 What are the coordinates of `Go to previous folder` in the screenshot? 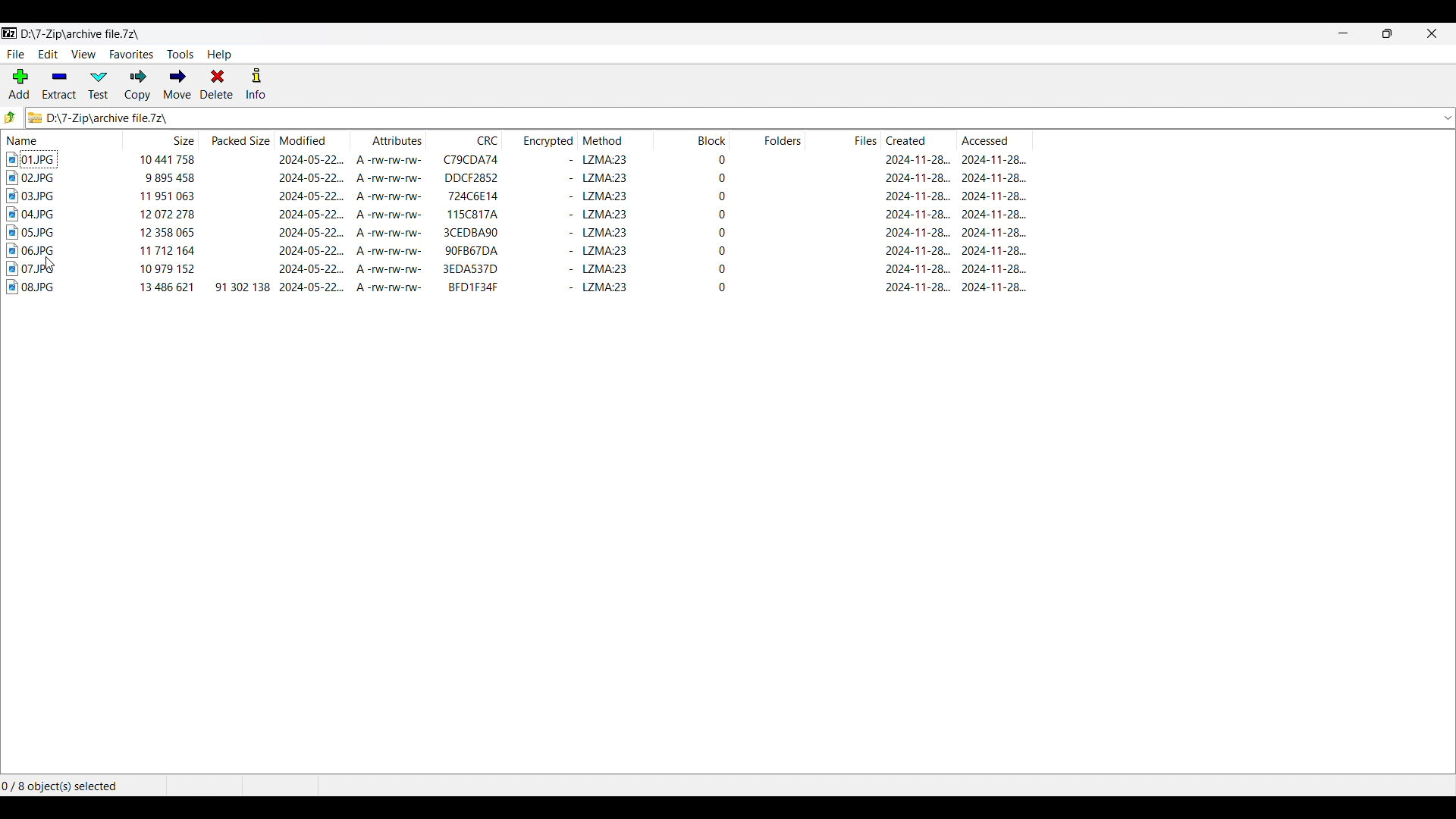 It's located at (10, 118).